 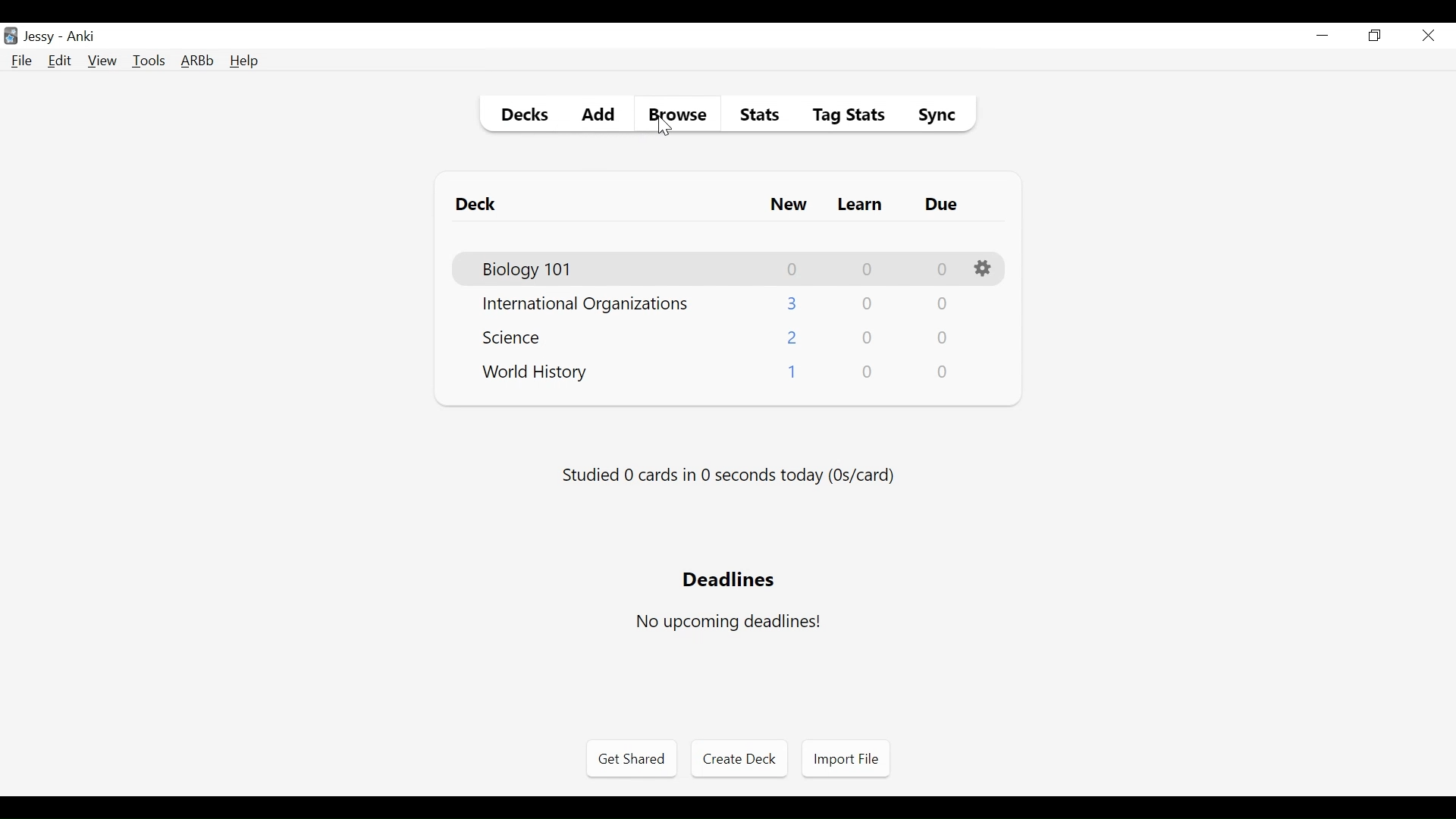 I want to click on Deck Name, so click(x=516, y=337).